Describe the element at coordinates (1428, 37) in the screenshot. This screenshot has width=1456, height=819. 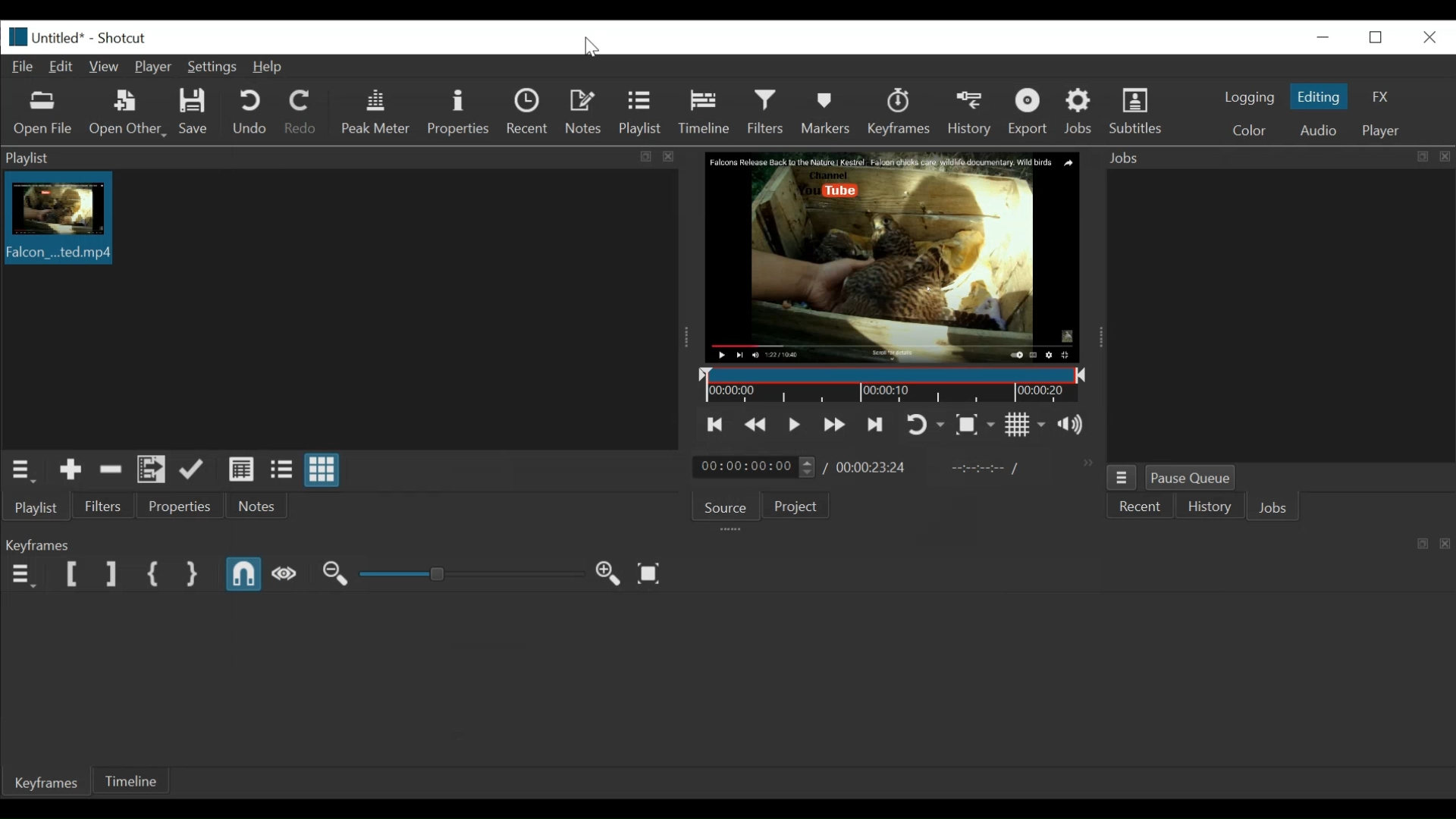
I see `Close` at that location.